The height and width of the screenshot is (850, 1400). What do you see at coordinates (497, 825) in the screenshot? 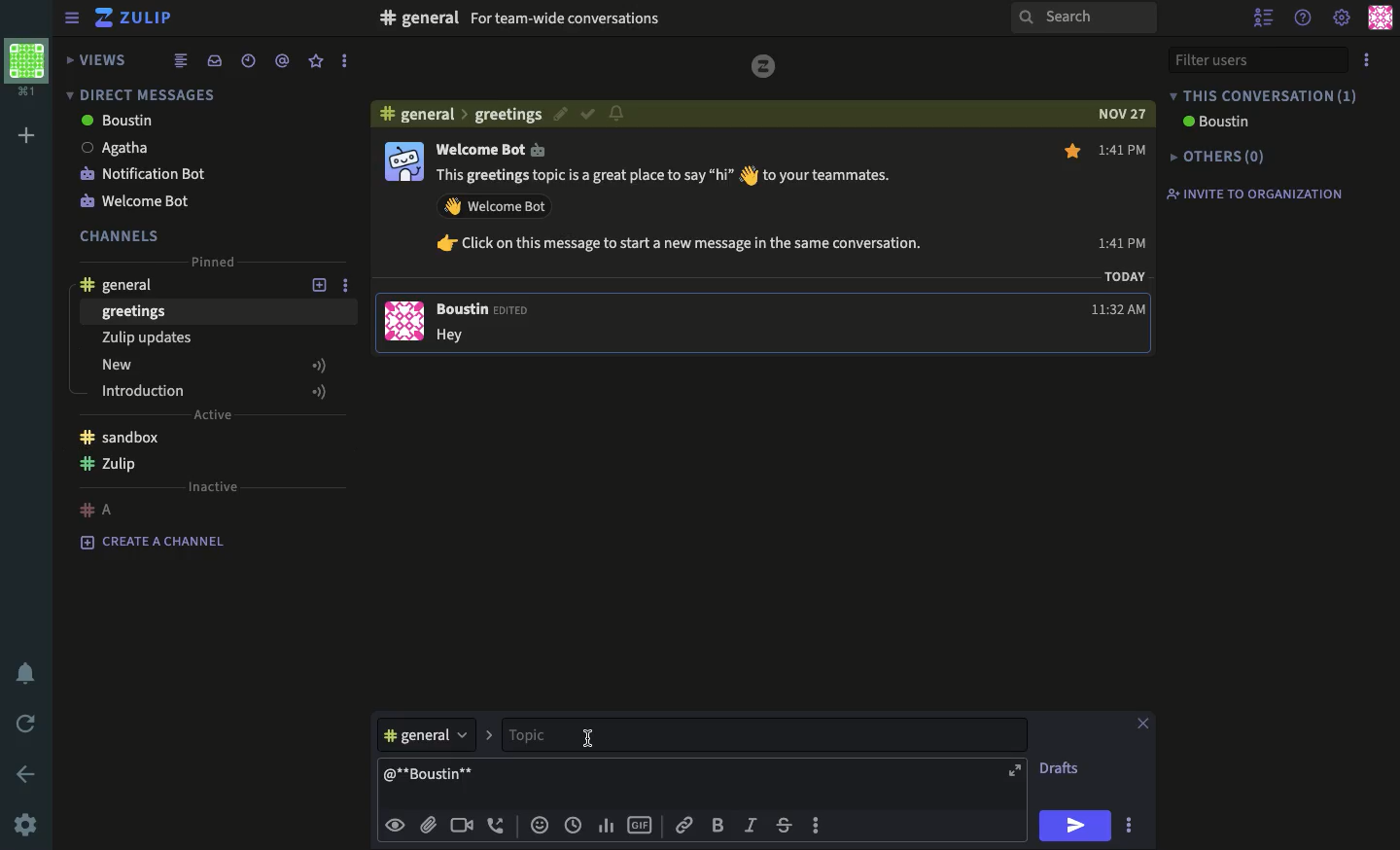
I see `audio call` at bounding box center [497, 825].